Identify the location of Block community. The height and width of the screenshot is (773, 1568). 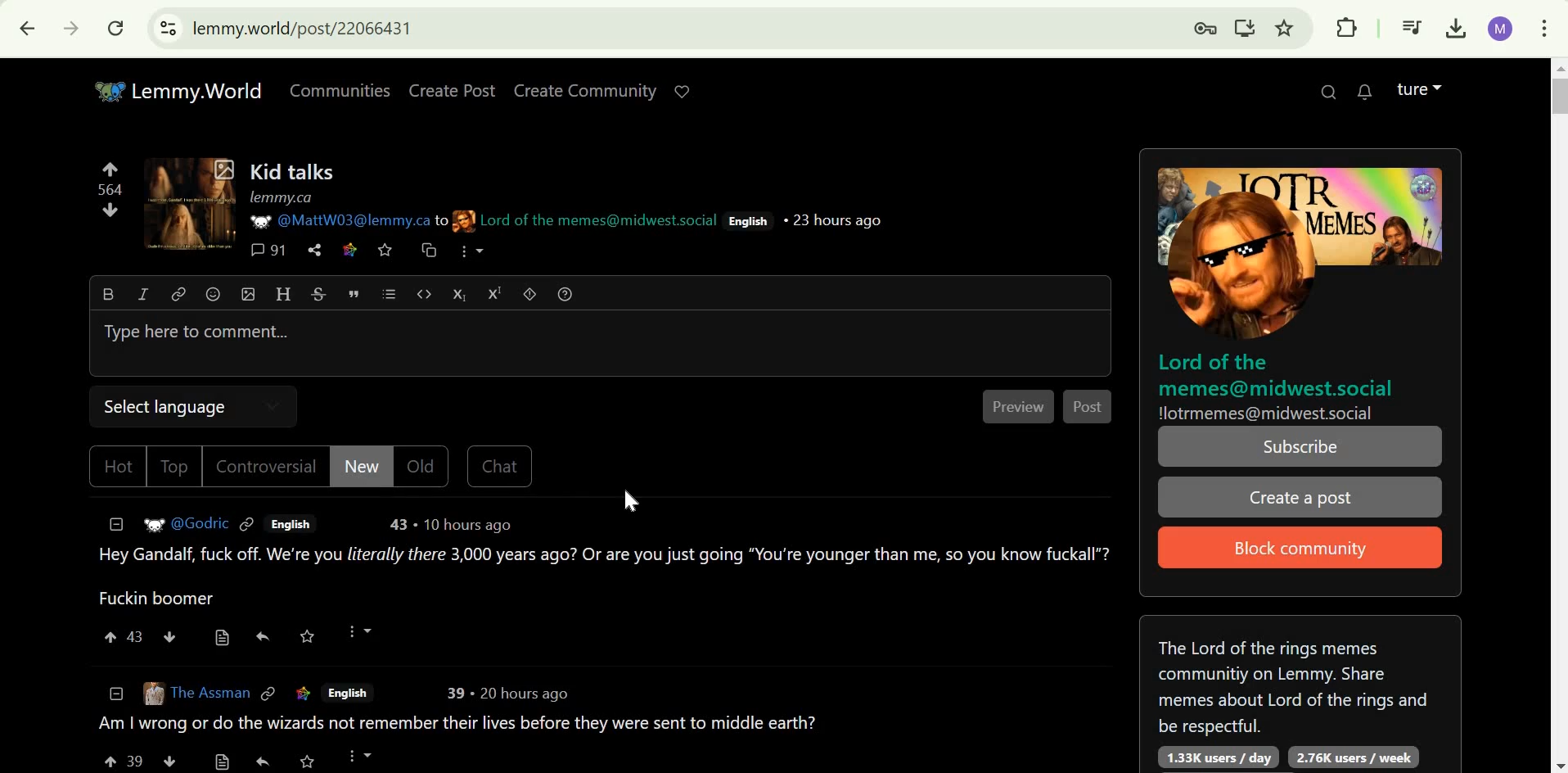
(1303, 545).